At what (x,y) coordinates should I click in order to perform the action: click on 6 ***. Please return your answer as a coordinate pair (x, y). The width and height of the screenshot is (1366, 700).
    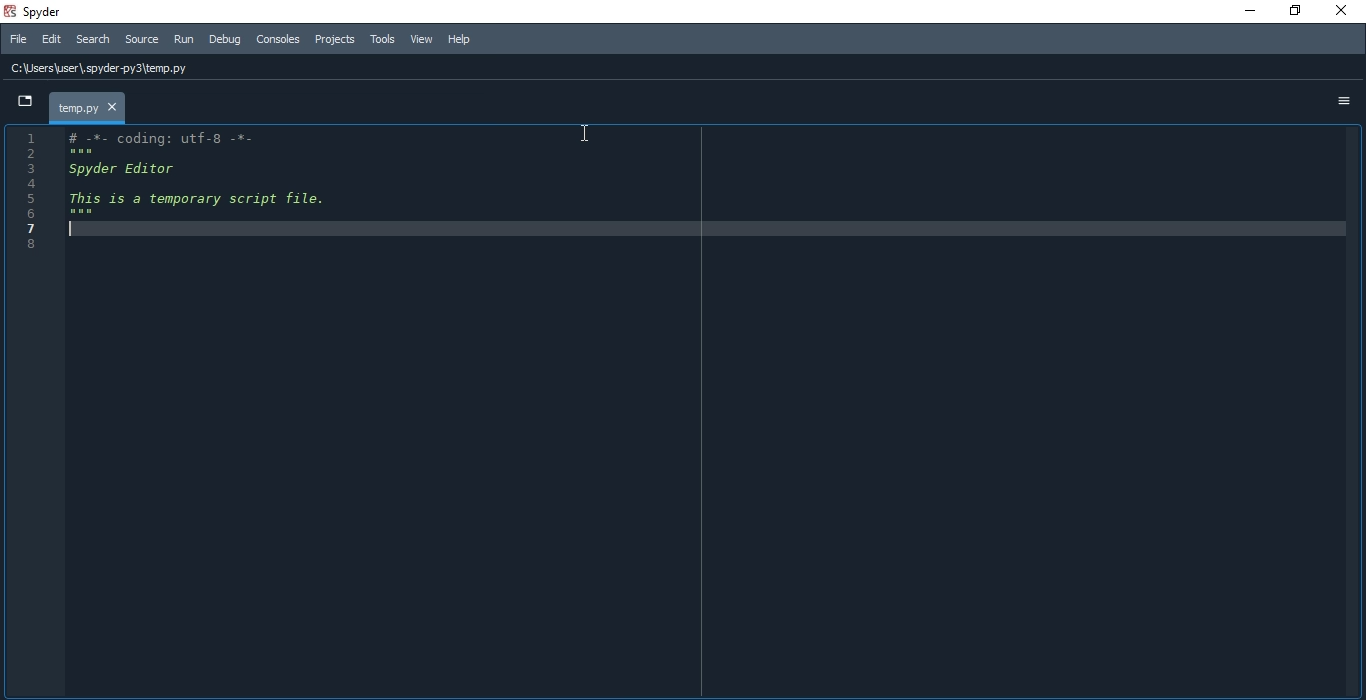
    Looking at the image, I should click on (50, 212).